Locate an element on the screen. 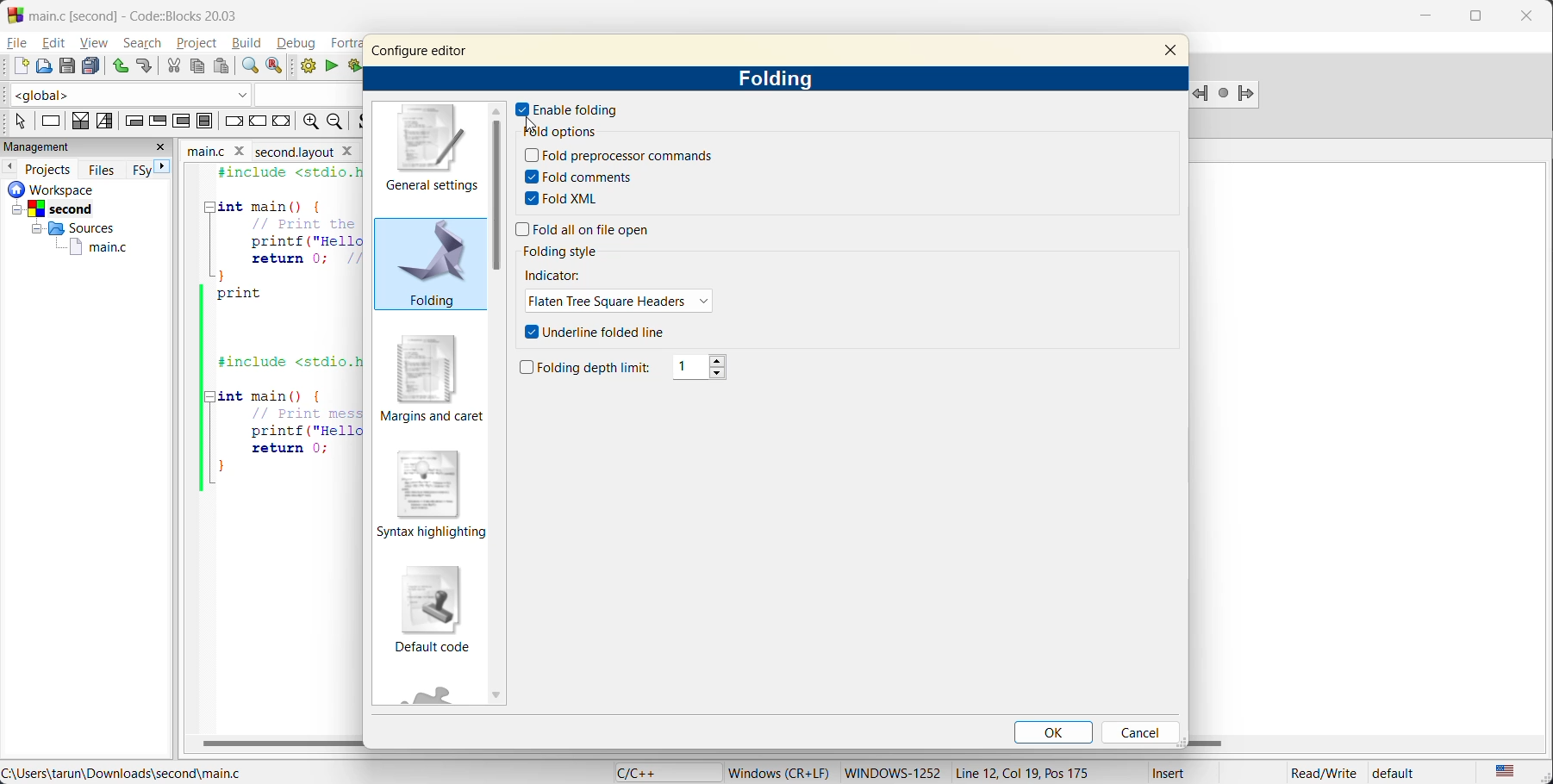 This screenshot has width=1553, height=784. cancel is located at coordinates (1143, 732).